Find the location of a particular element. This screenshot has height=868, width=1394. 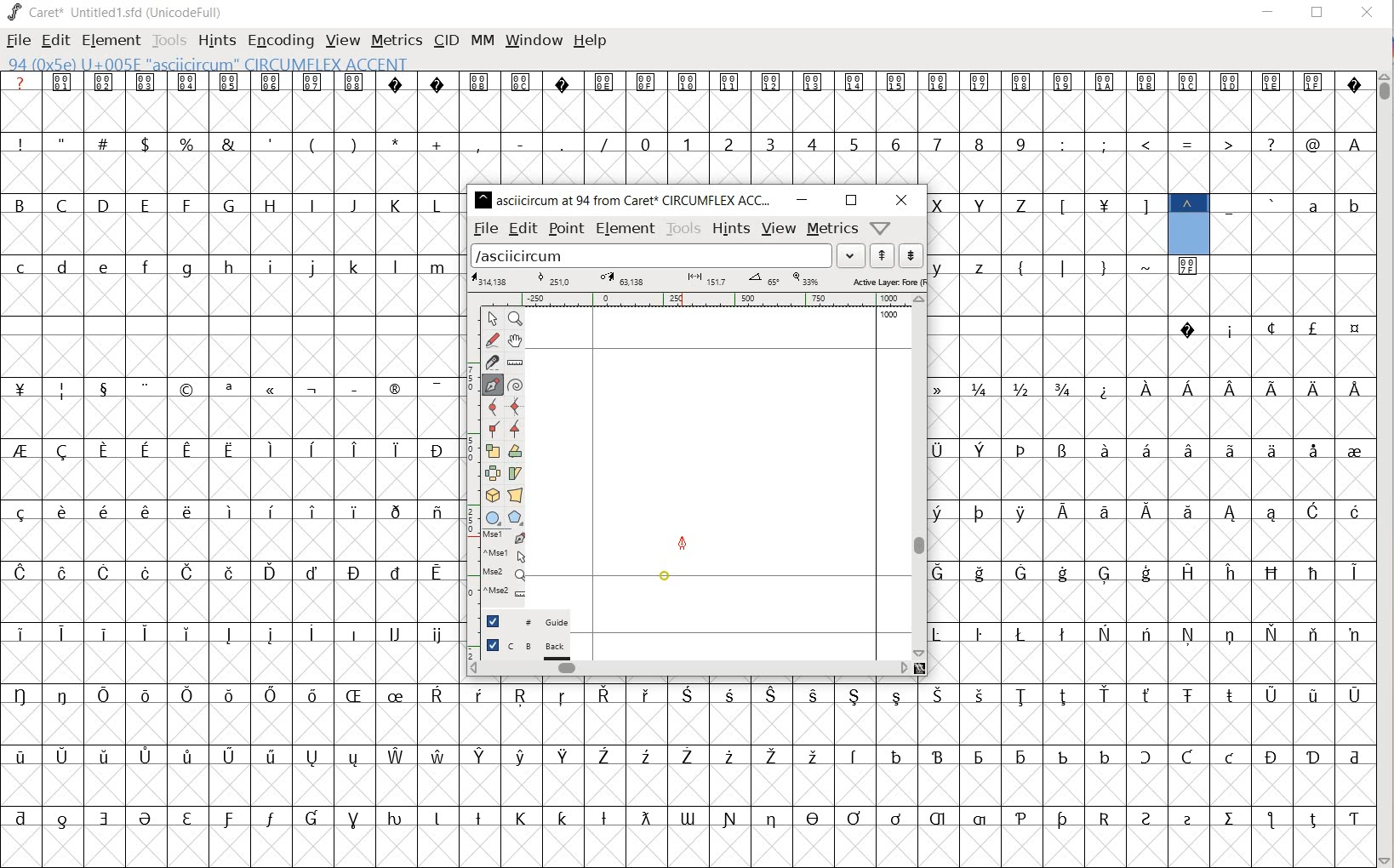

minimize is located at coordinates (803, 200).